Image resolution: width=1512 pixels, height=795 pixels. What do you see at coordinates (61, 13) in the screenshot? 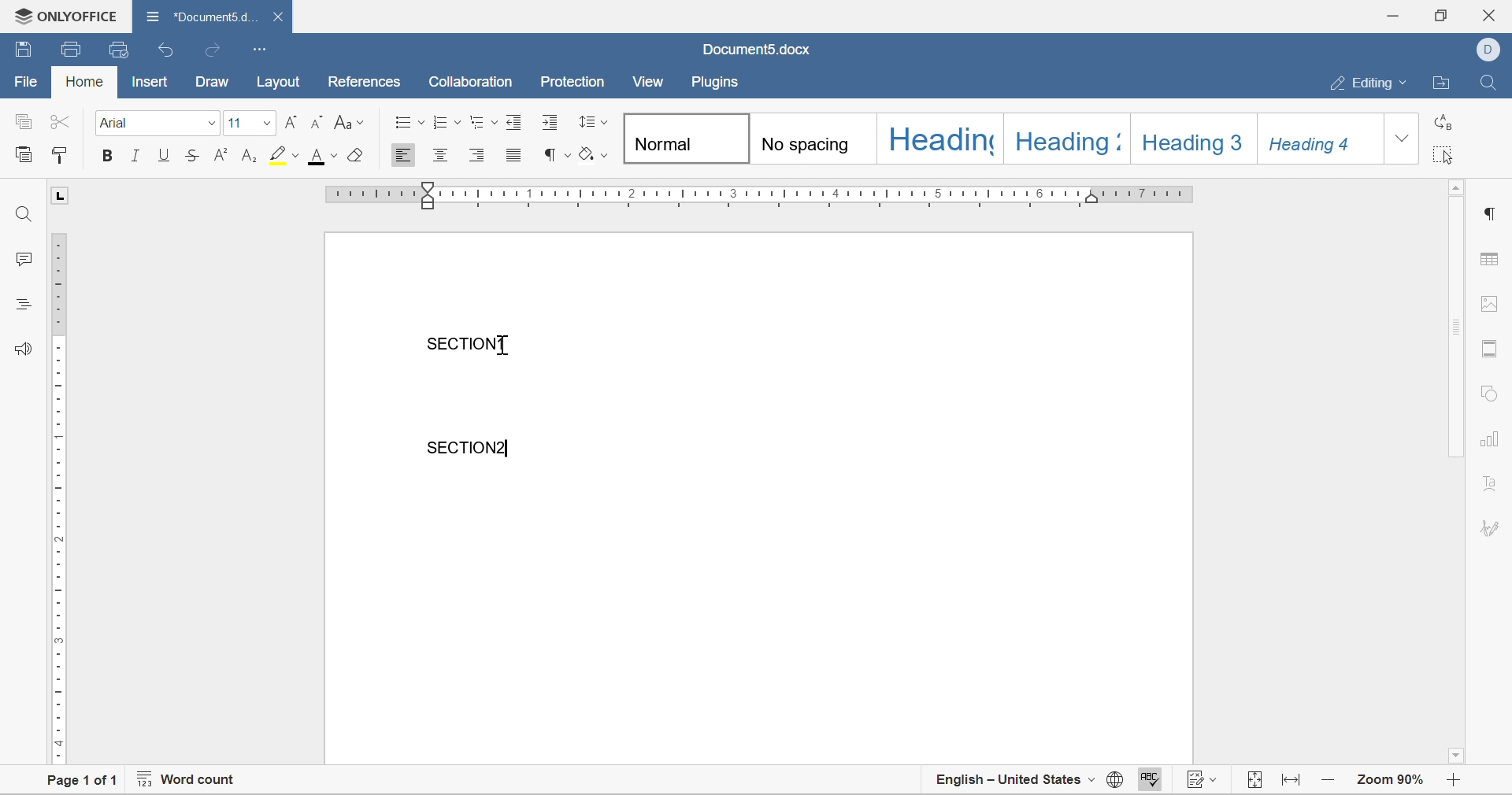
I see `ONLYOFFICE` at bounding box center [61, 13].